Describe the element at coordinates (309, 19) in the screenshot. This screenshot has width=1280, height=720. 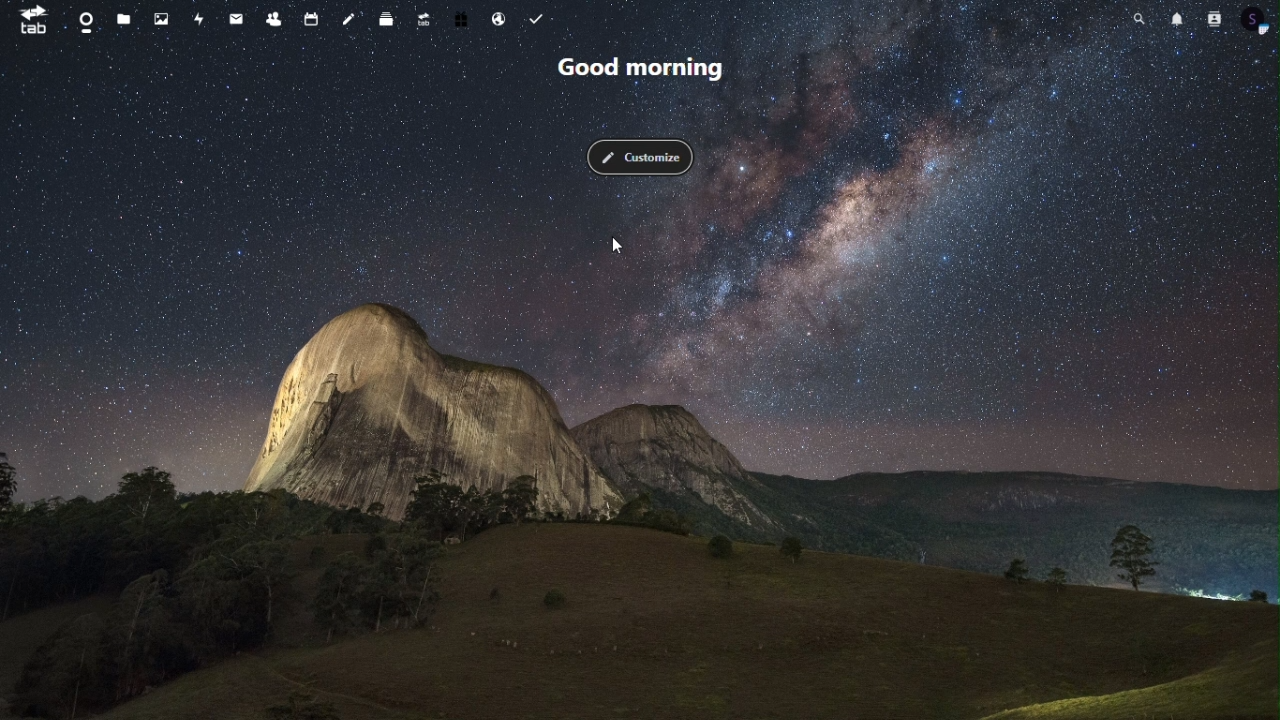
I see `calendar` at that location.